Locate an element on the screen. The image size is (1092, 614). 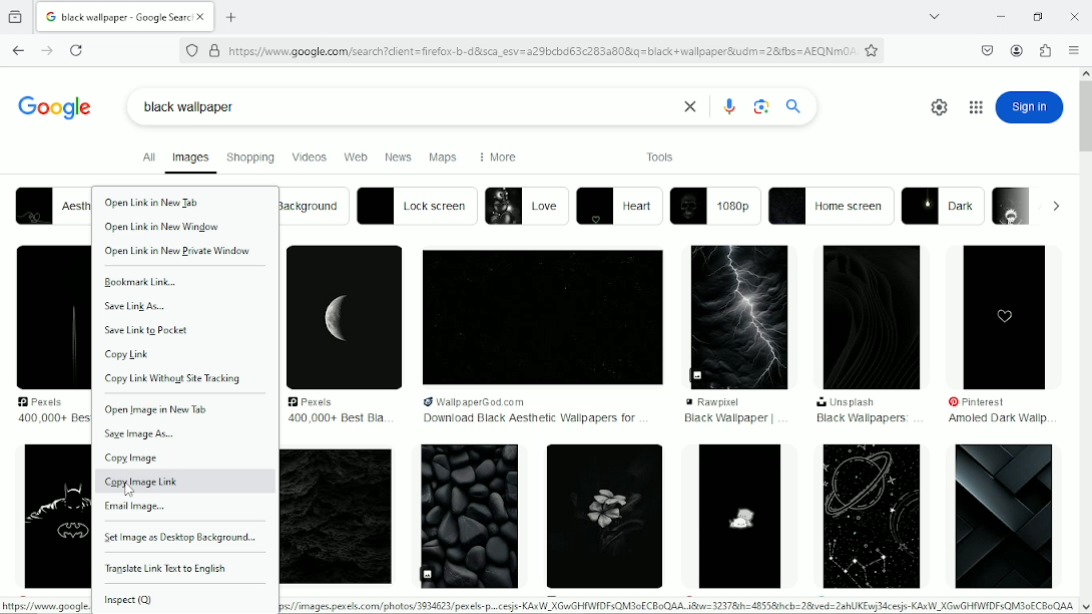
image is located at coordinates (1013, 205).